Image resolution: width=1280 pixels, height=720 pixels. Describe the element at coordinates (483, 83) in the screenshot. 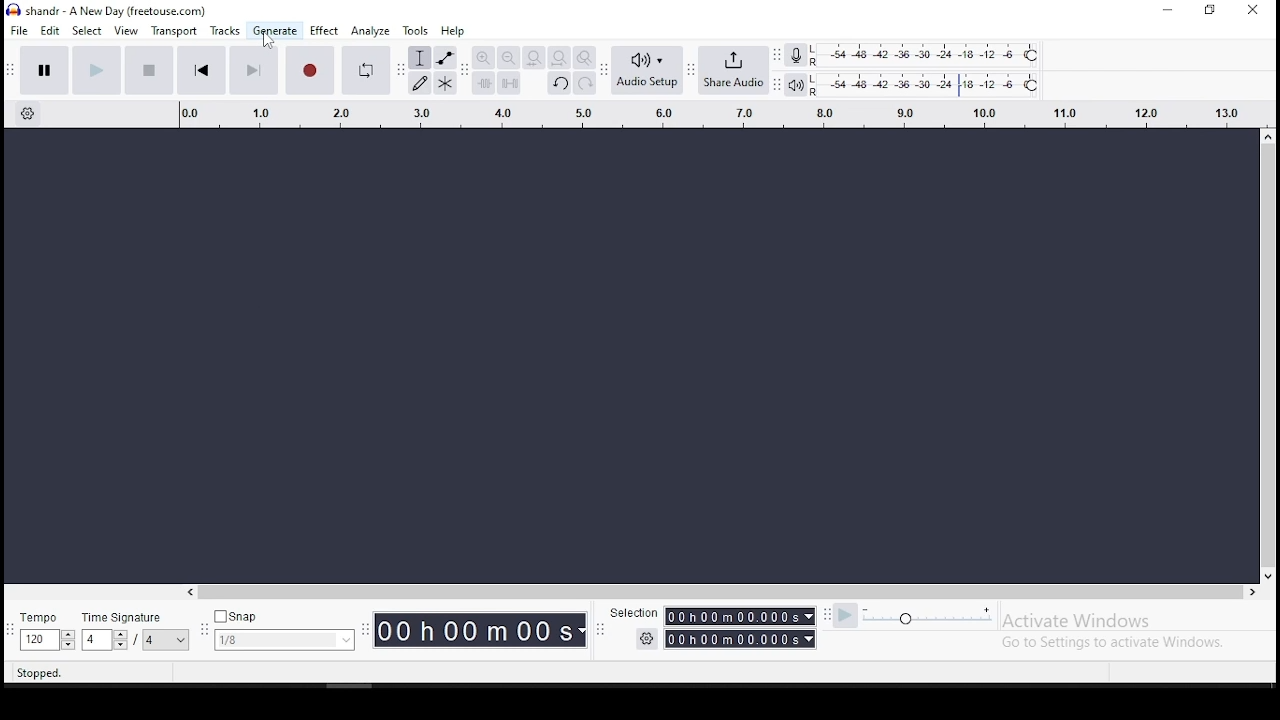

I see `trim audio outside selection` at that location.